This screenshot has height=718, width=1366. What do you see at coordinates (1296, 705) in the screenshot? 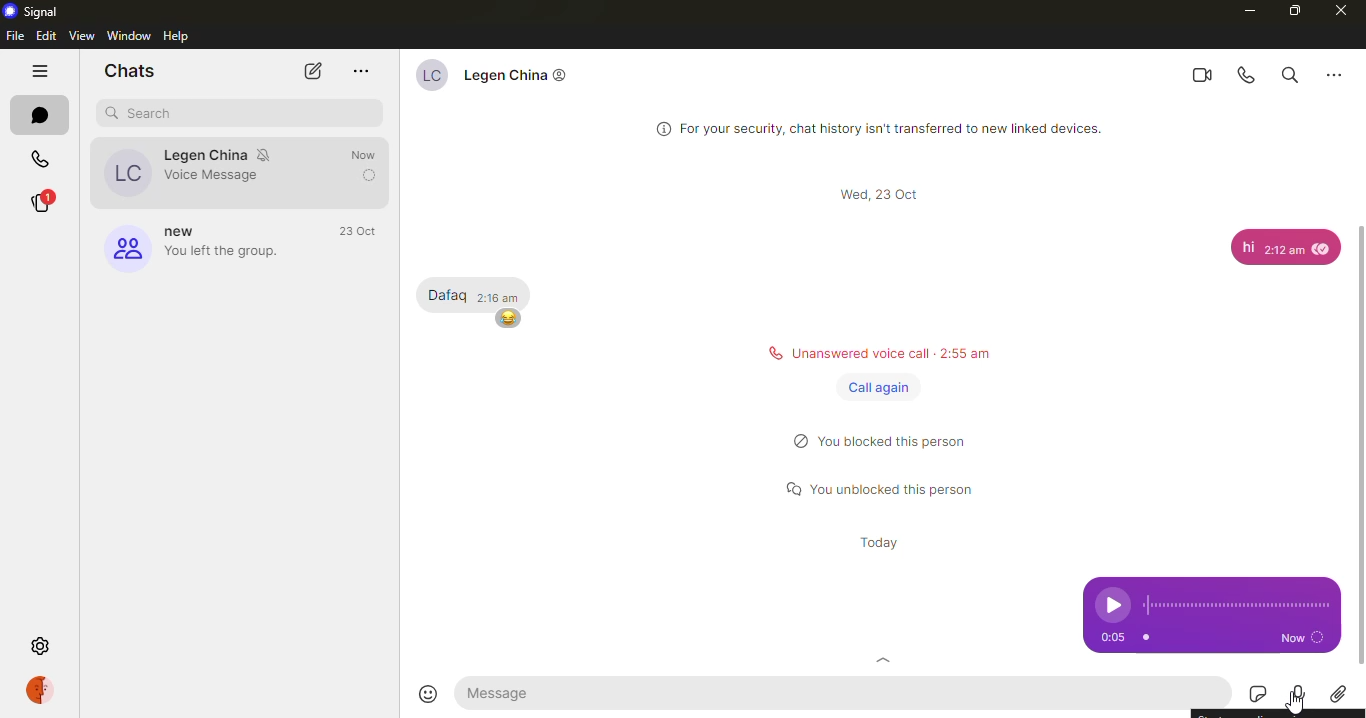
I see `cursor` at bounding box center [1296, 705].